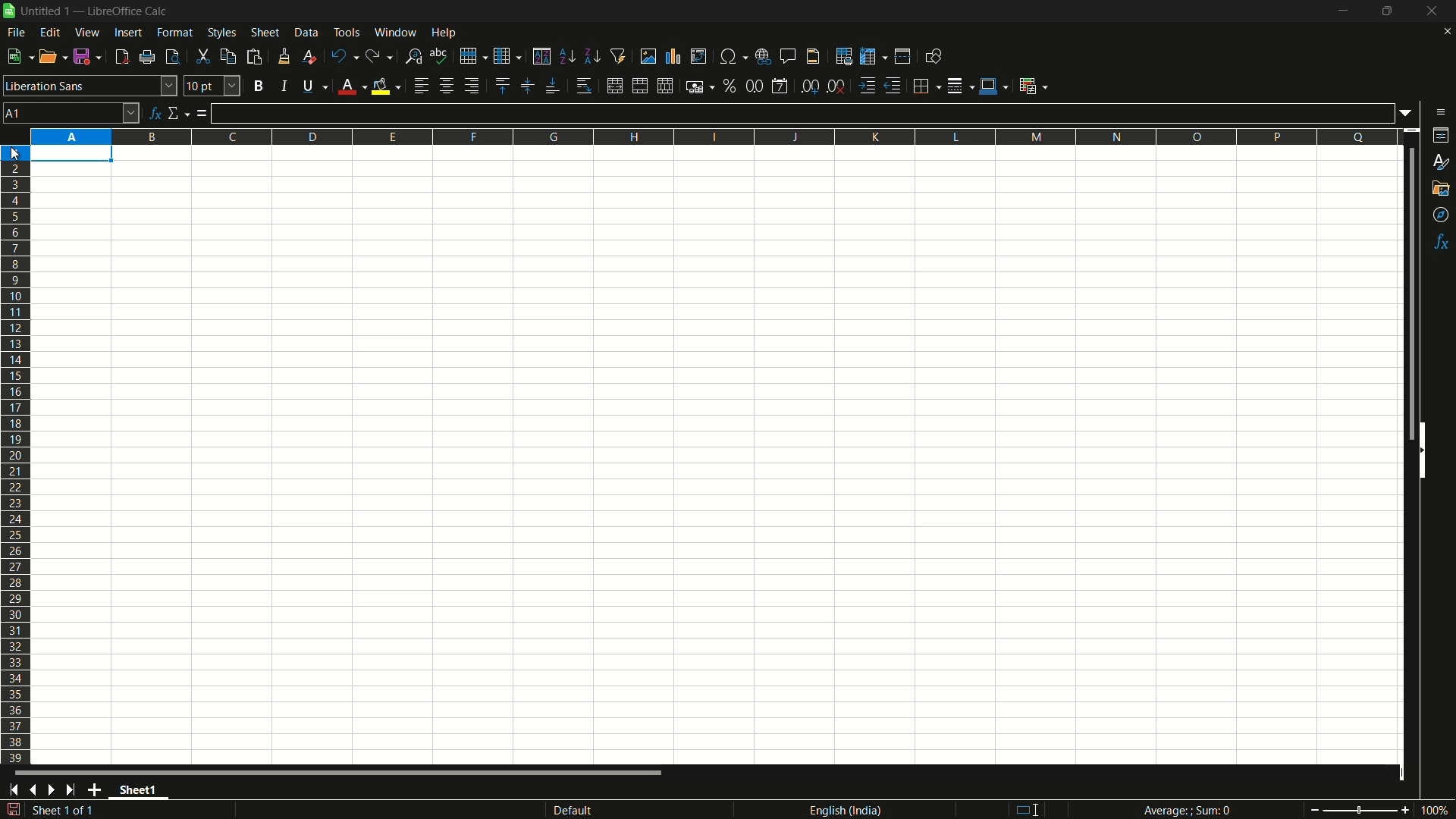  Describe the element at coordinates (312, 87) in the screenshot. I see `underline` at that location.